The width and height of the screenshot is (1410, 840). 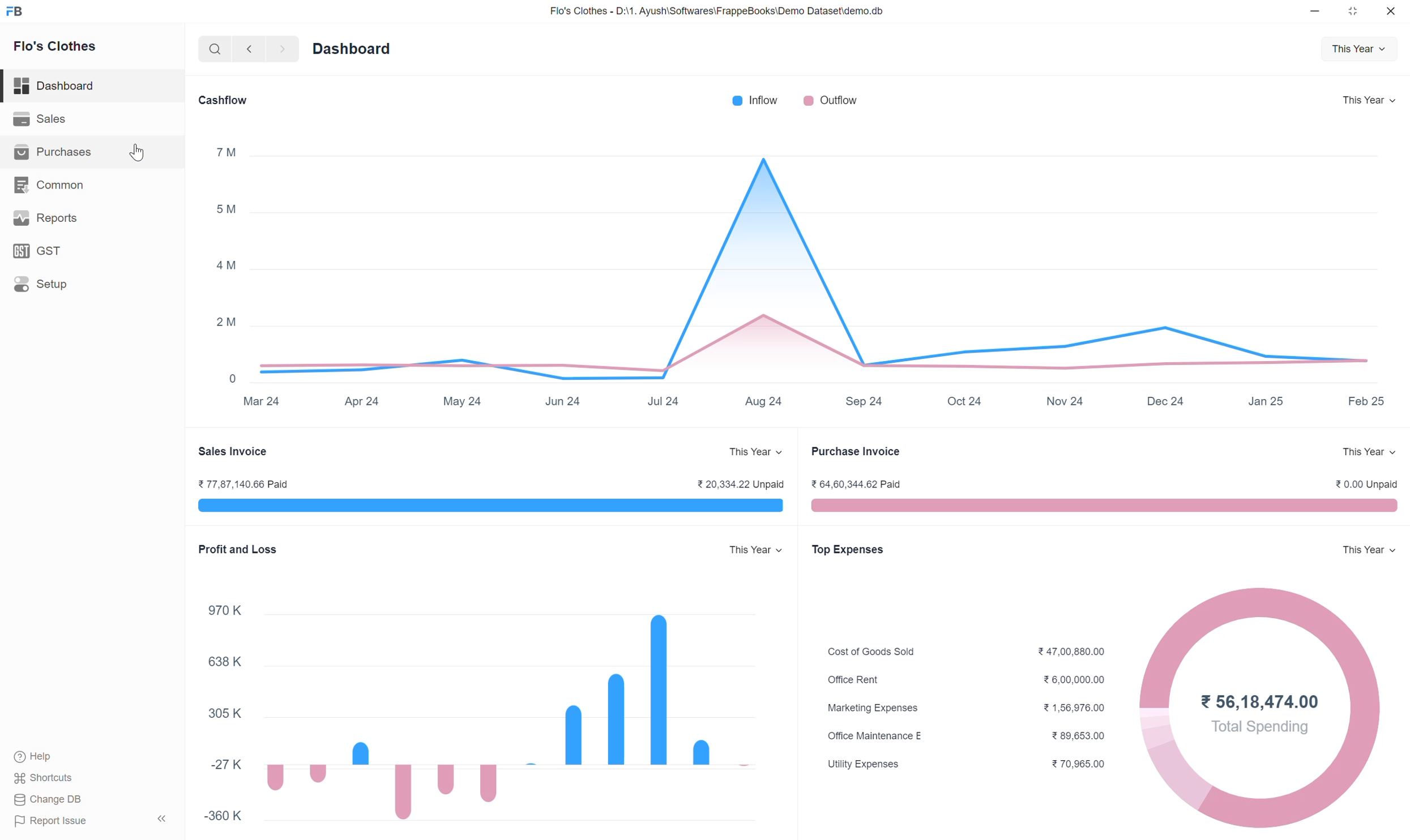 I want to click on 305 K, so click(x=225, y=713).